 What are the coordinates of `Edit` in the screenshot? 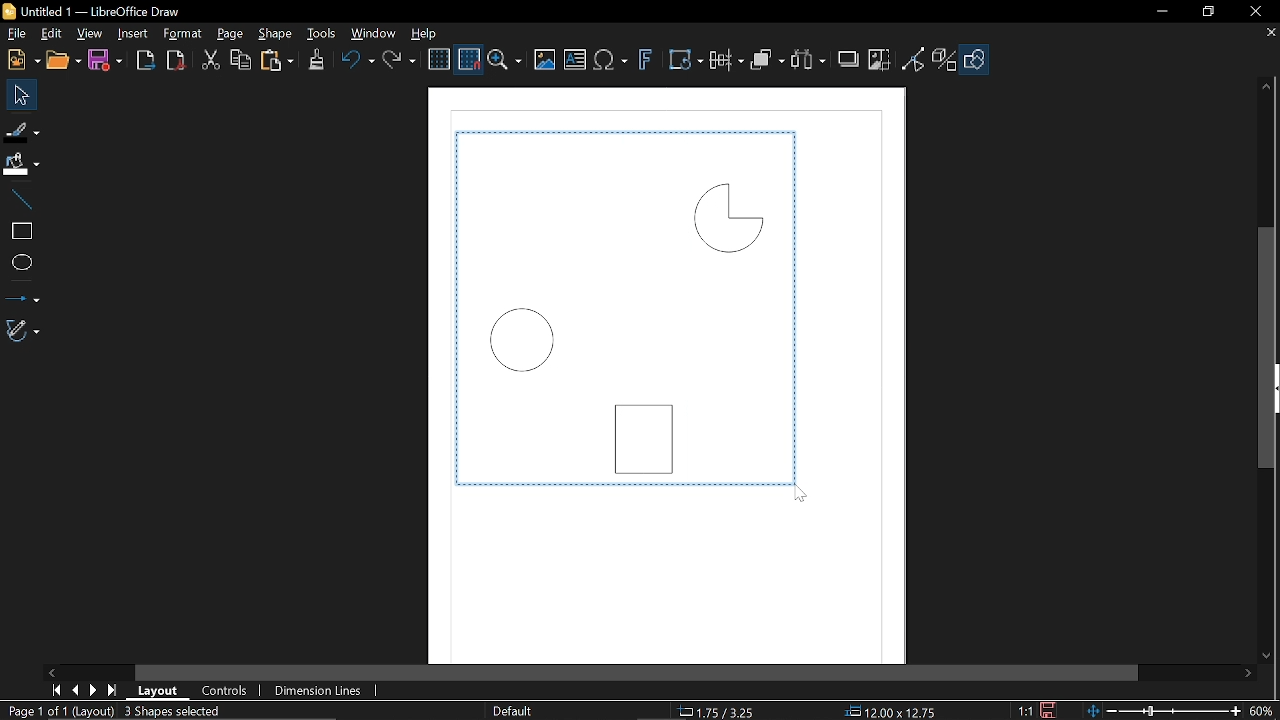 It's located at (52, 33).